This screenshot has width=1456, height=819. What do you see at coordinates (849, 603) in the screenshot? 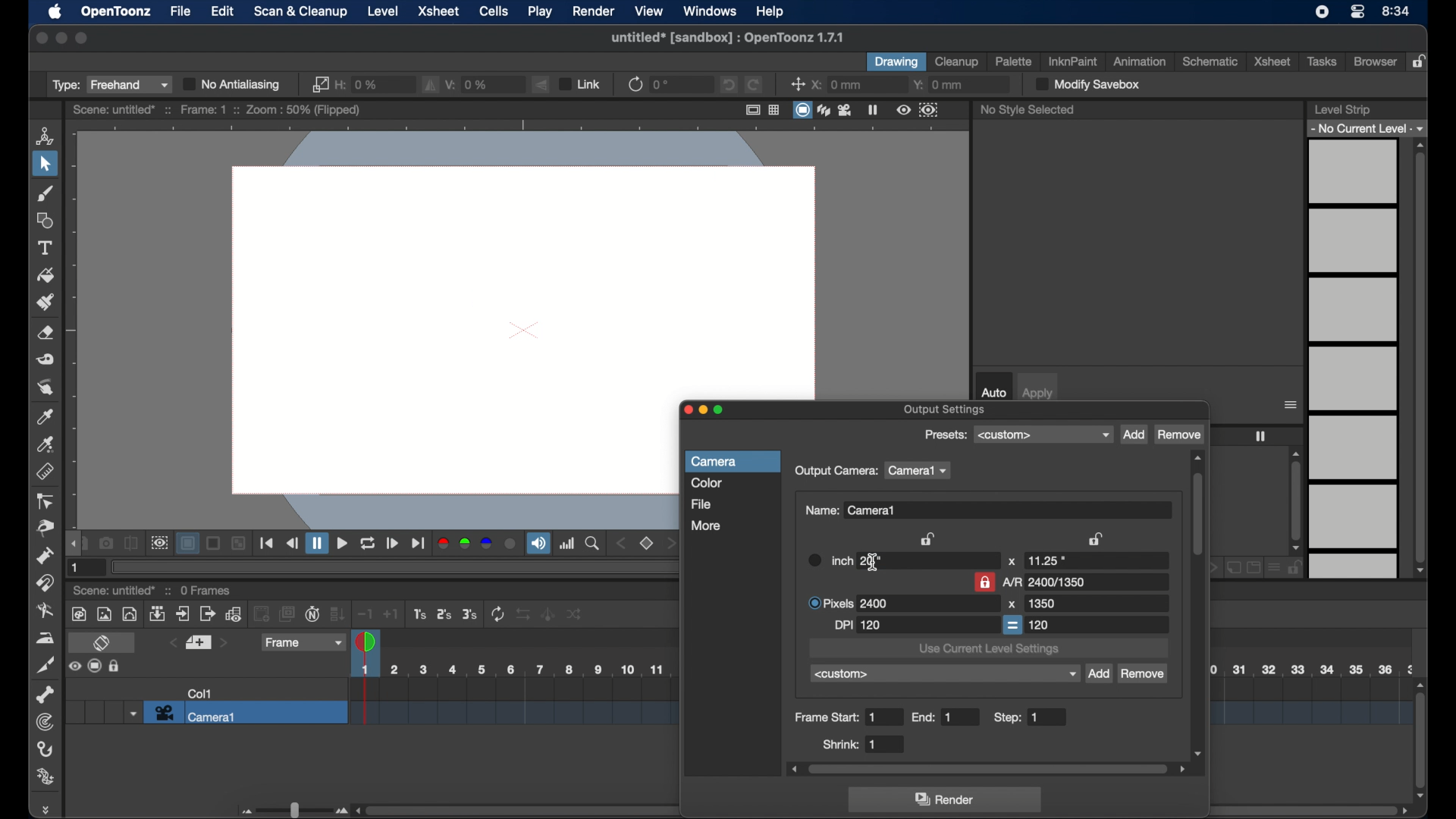
I see `pixels` at bounding box center [849, 603].